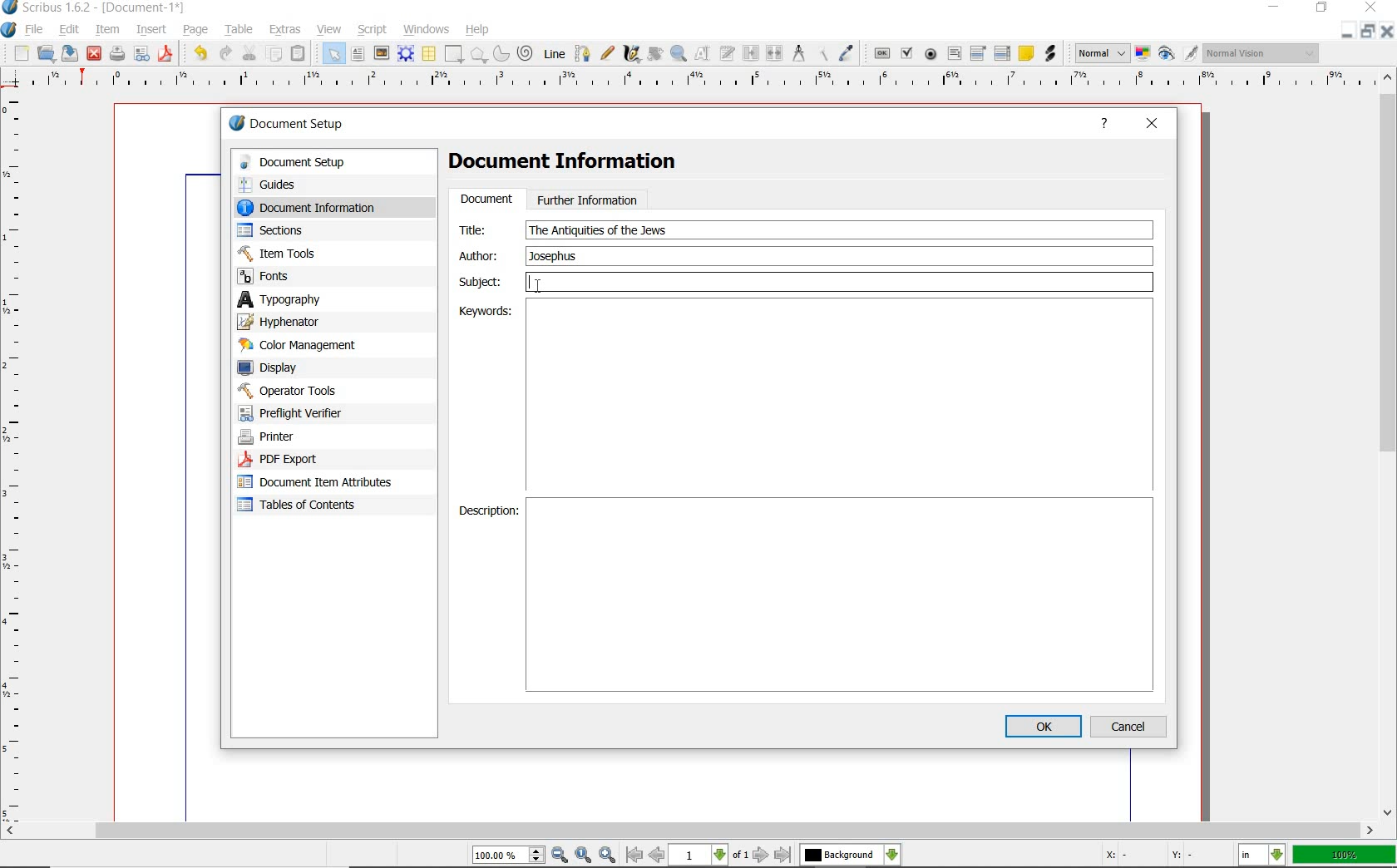  What do you see at coordinates (1389, 446) in the screenshot?
I see `scrollbar` at bounding box center [1389, 446].